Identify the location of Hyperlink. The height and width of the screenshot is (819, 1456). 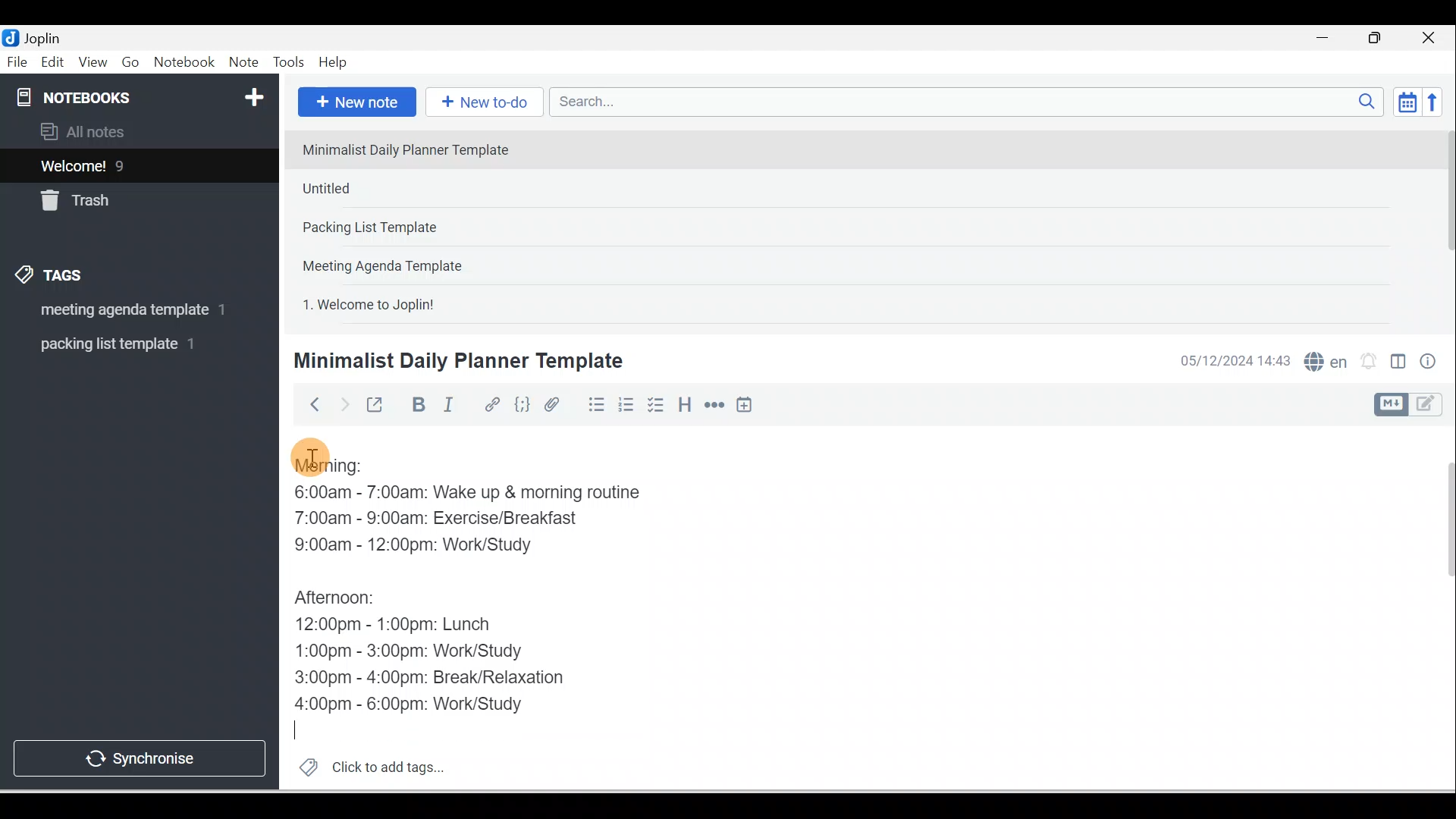
(491, 406).